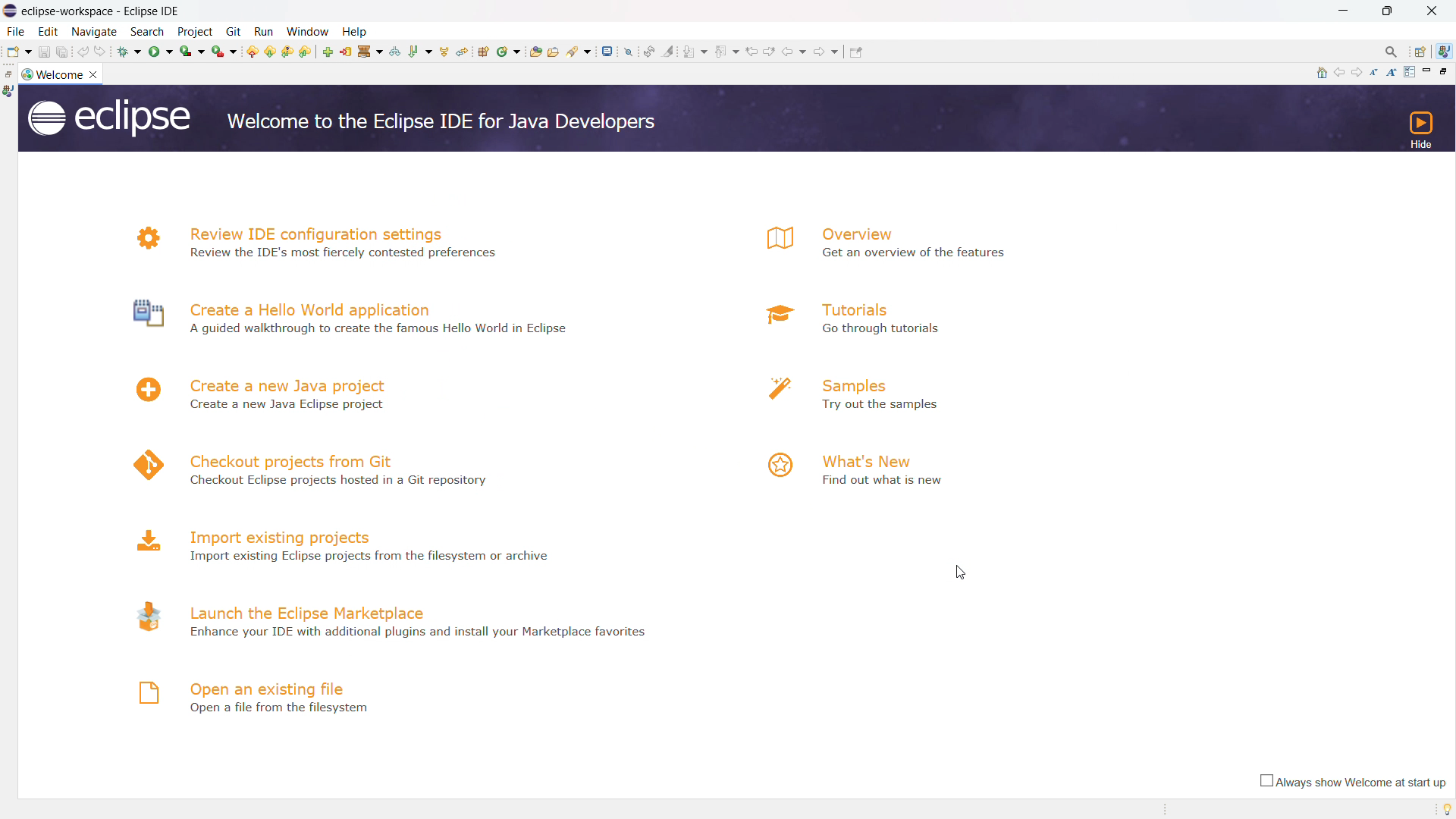  I want to click on logo, so click(140, 238).